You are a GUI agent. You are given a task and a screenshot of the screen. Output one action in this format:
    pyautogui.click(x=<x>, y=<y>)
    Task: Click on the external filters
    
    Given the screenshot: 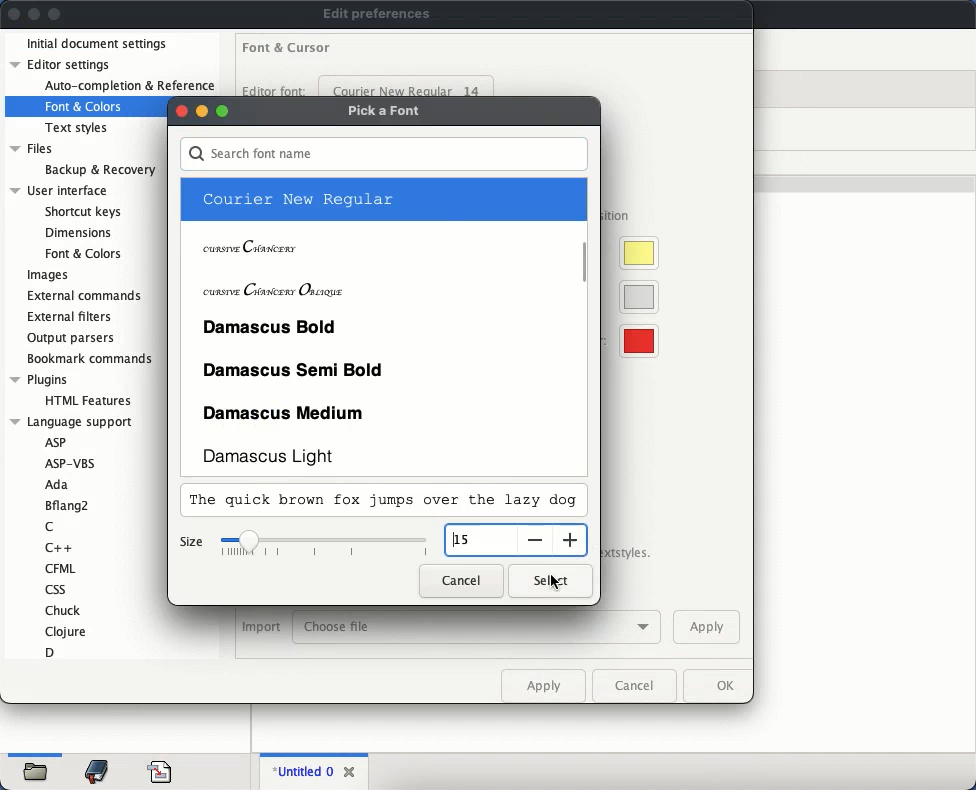 What is the action you would take?
    pyautogui.click(x=73, y=317)
    